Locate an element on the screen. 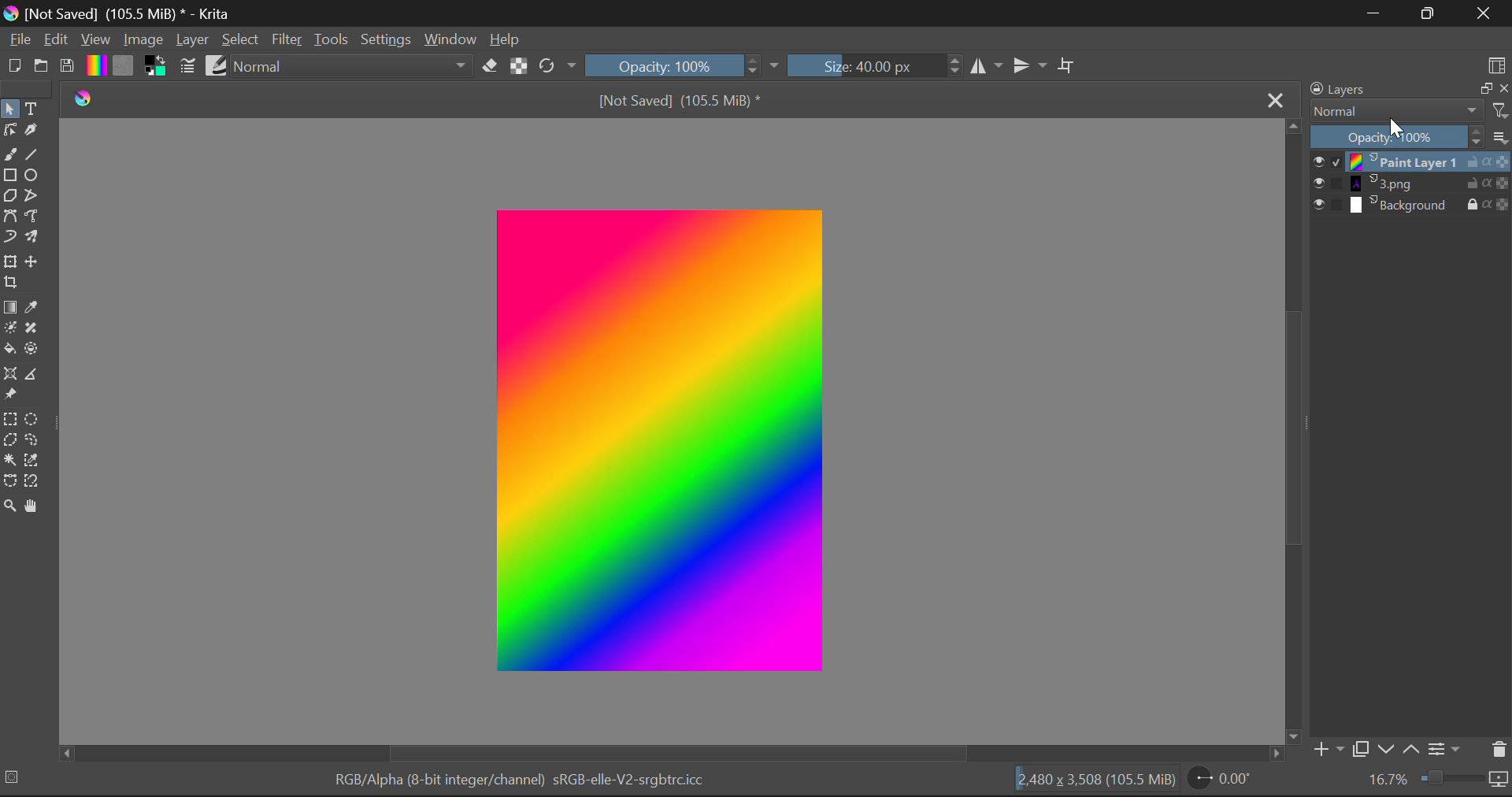 The height and width of the screenshot is (797, 1512). Close is located at coordinates (1277, 102).